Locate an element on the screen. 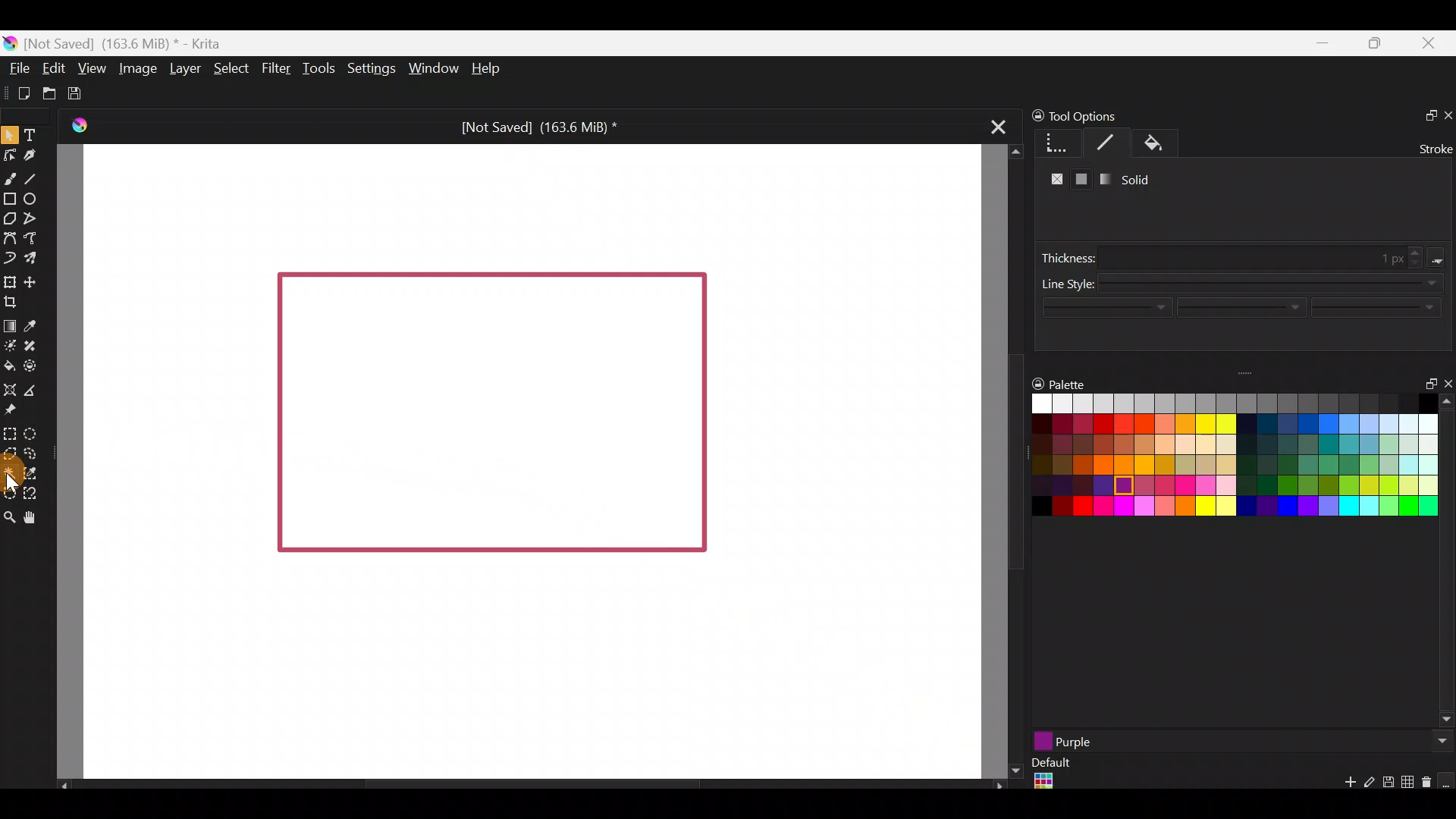 This screenshot has width=1456, height=819. Image is located at coordinates (138, 70).